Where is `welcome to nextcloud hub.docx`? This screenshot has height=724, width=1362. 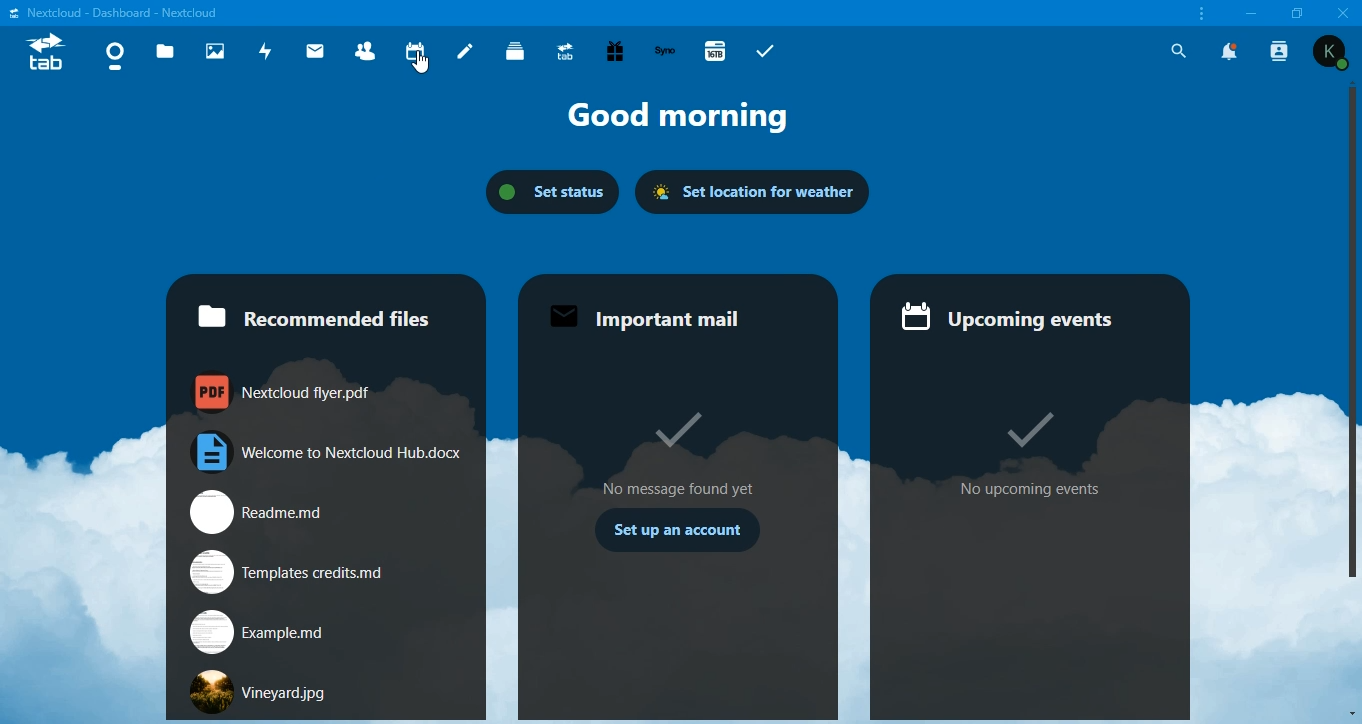
welcome to nextcloud hub.docx is located at coordinates (331, 452).